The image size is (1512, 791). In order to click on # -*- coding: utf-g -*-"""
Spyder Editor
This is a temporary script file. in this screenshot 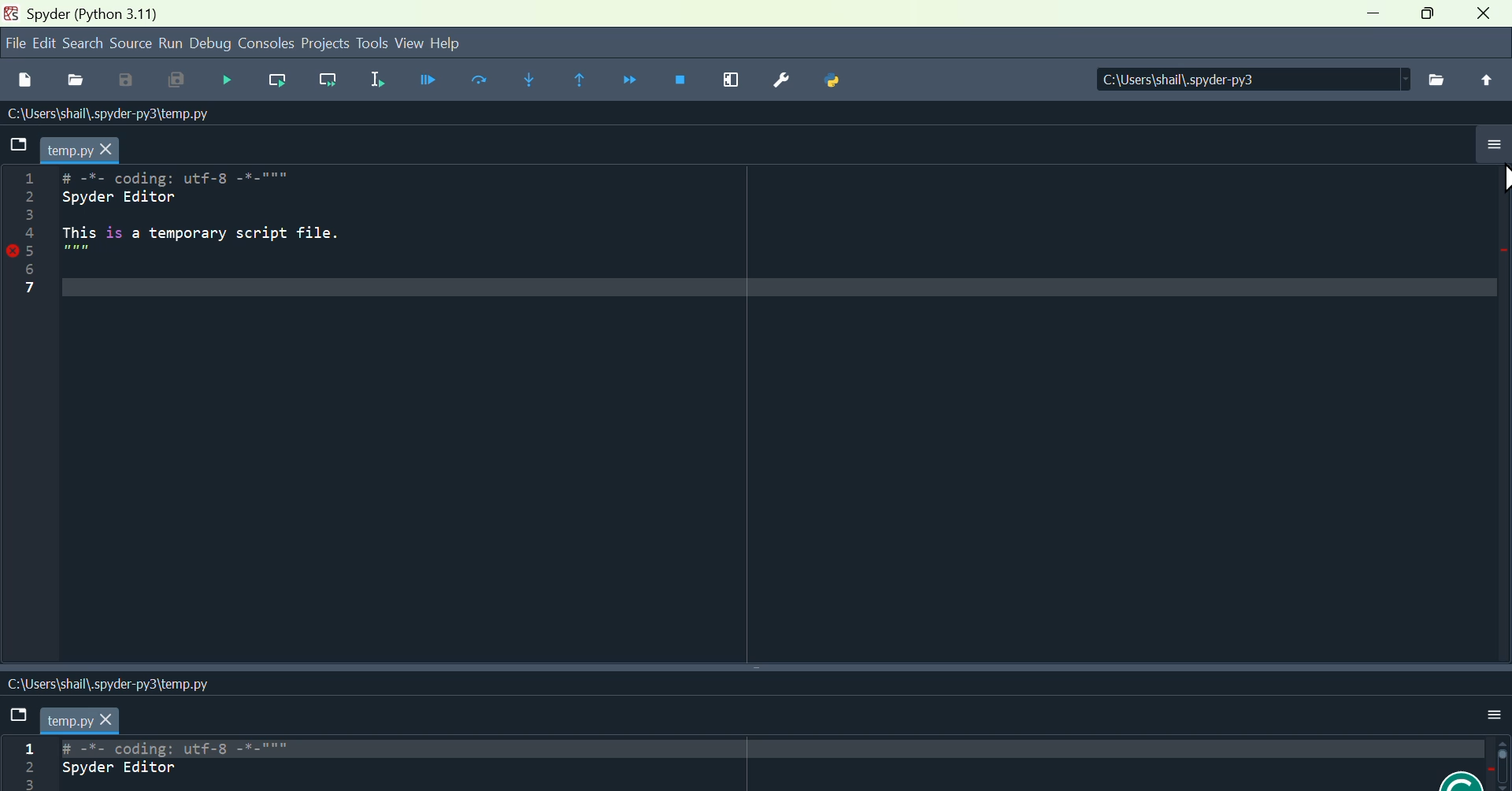, I will do `click(212, 231)`.